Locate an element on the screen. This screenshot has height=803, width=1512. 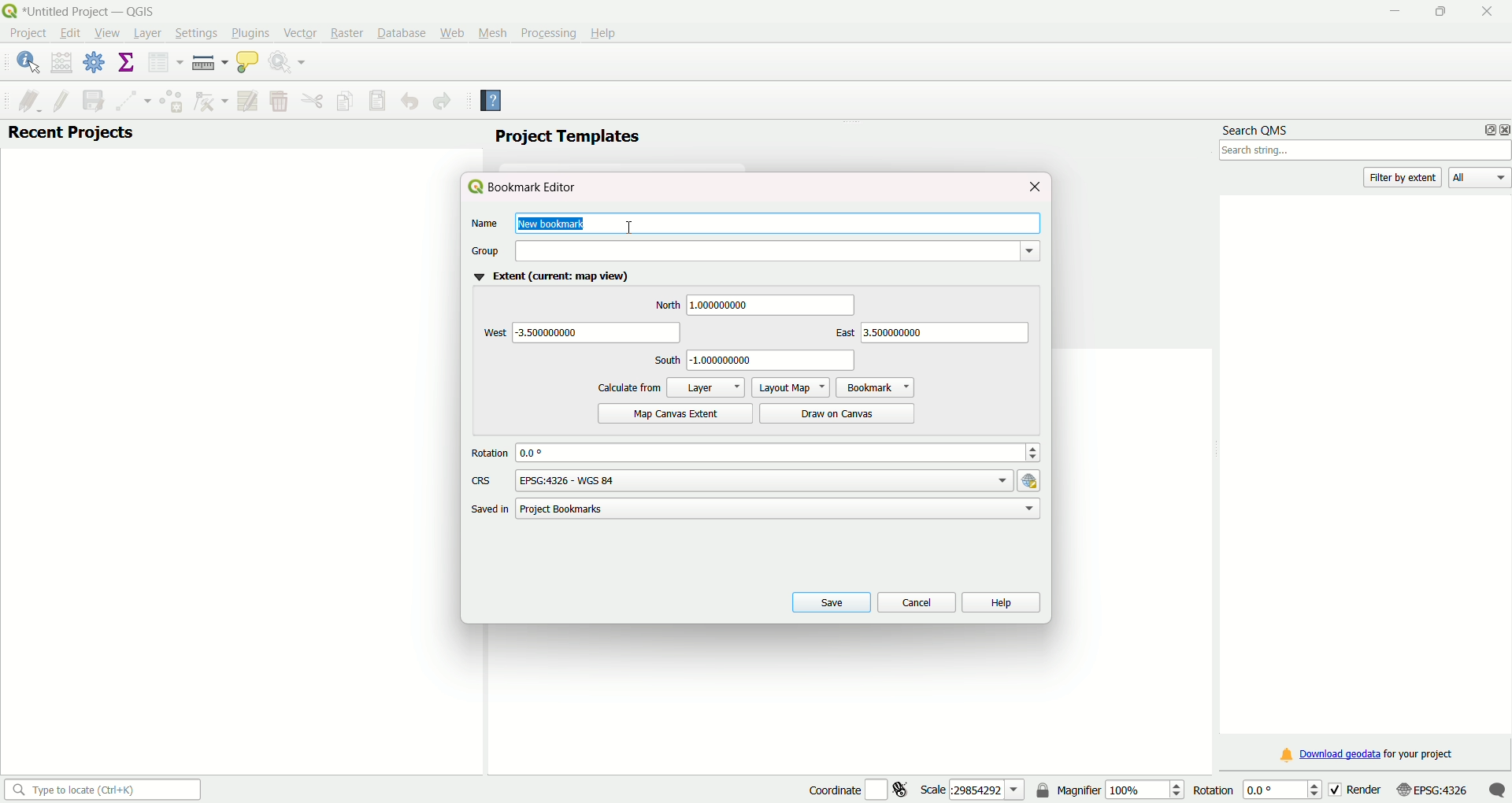
south is located at coordinates (665, 361).